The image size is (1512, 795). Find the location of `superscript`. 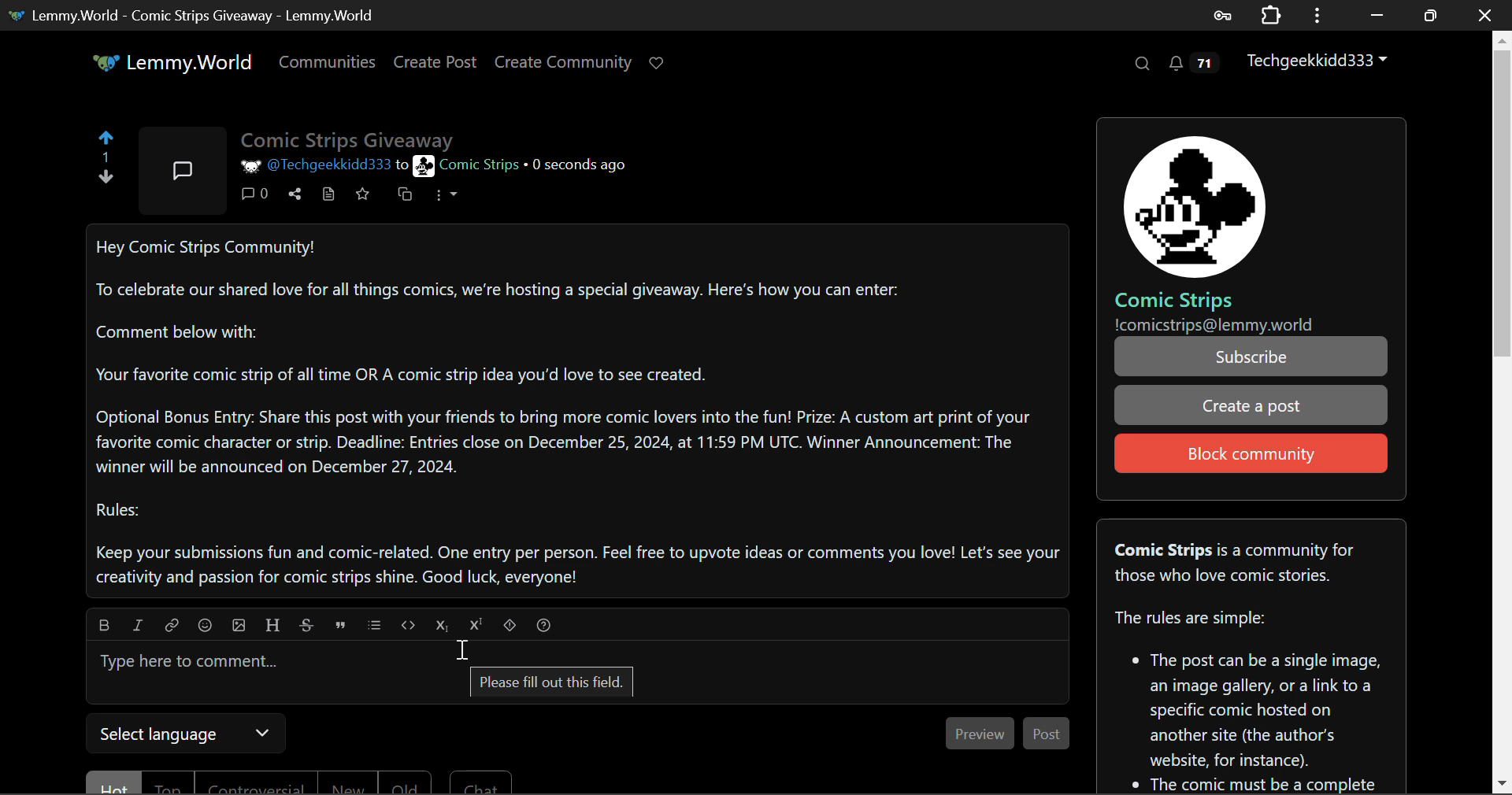

superscript is located at coordinates (473, 623).